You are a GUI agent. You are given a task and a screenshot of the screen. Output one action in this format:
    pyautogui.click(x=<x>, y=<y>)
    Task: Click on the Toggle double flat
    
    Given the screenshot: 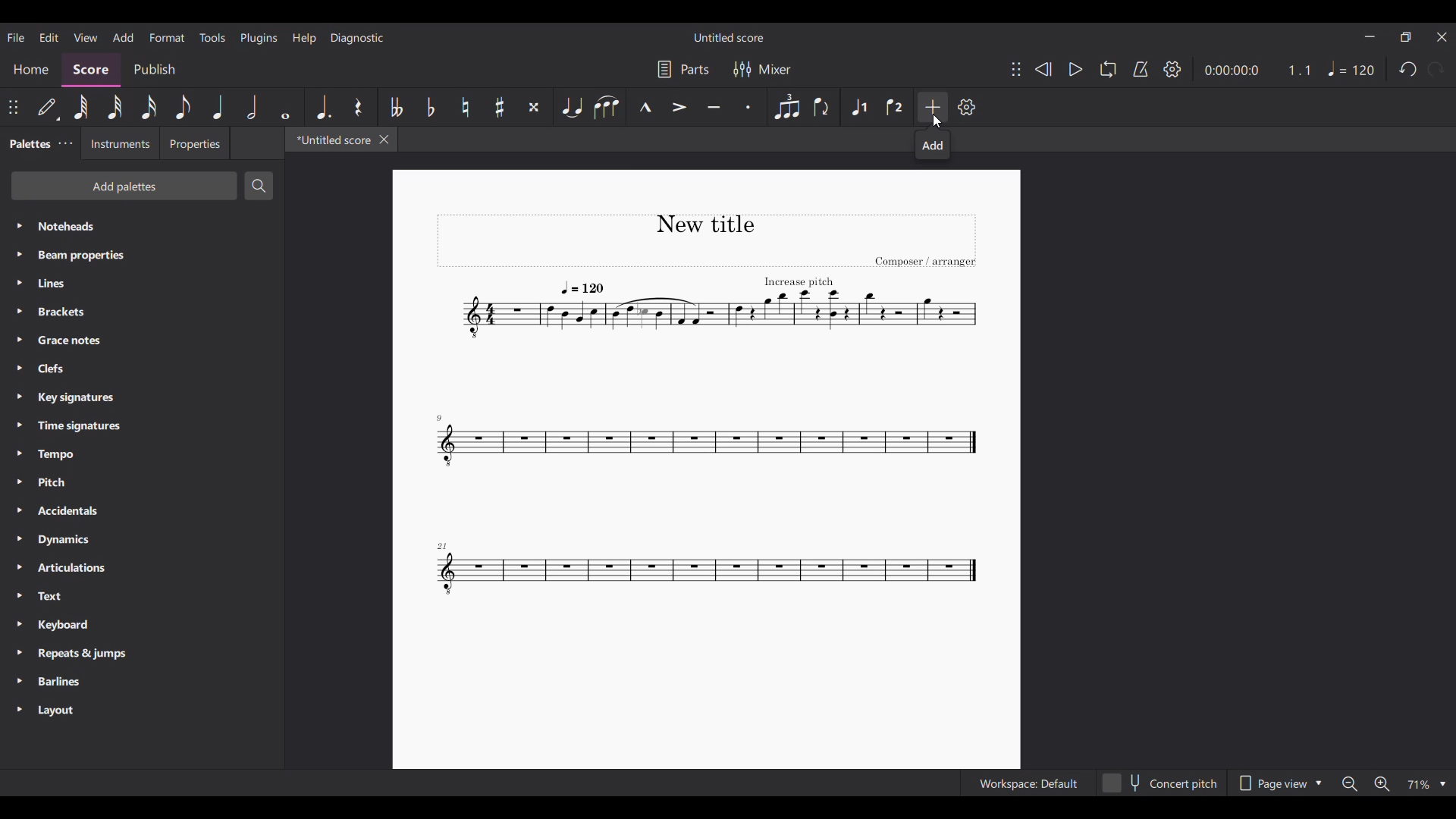 What is the action you would take?
    pyautogui.click(x=395, y=108)
    